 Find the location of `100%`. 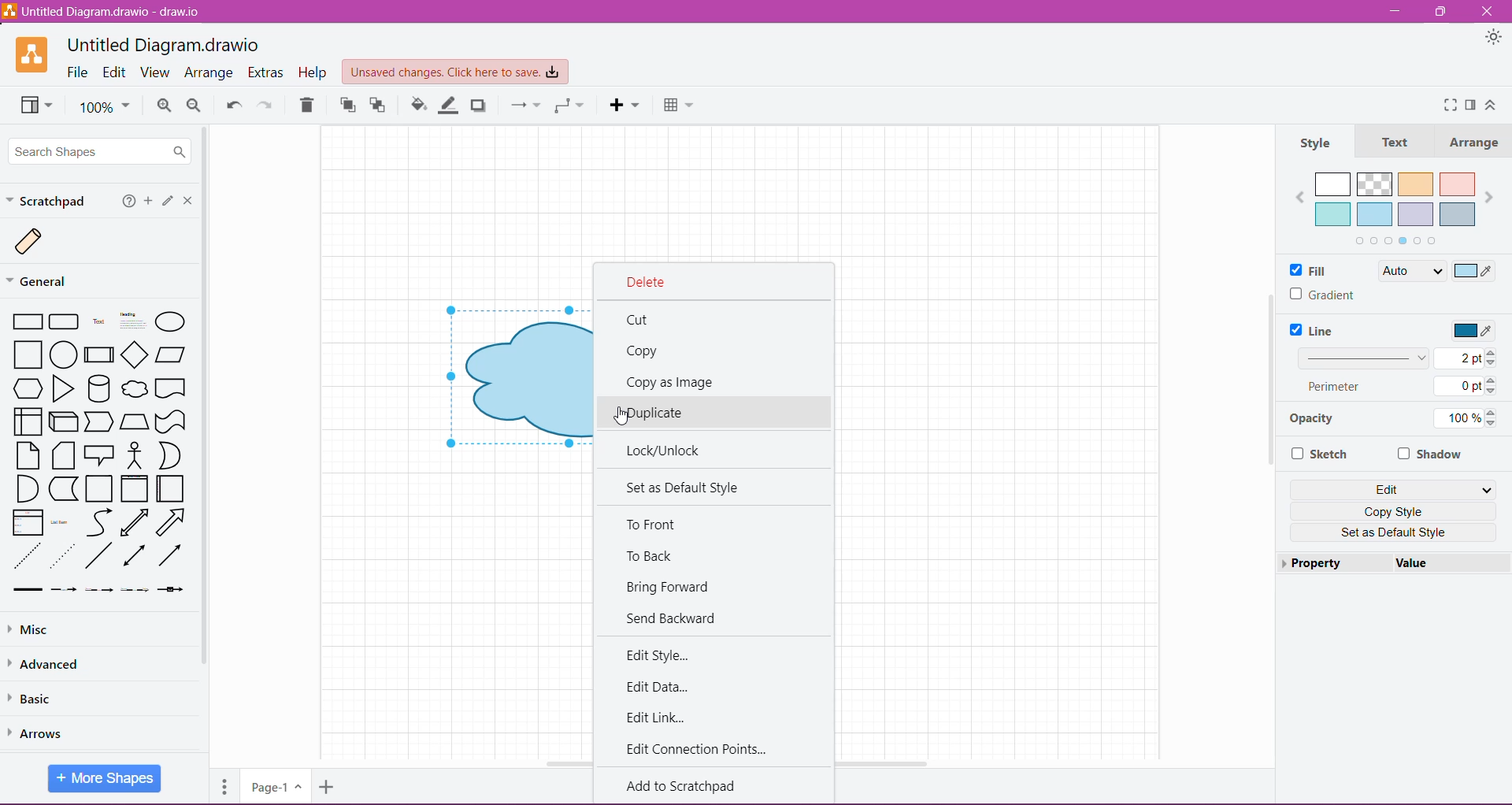

100% is located at coordinates (1470, 419).